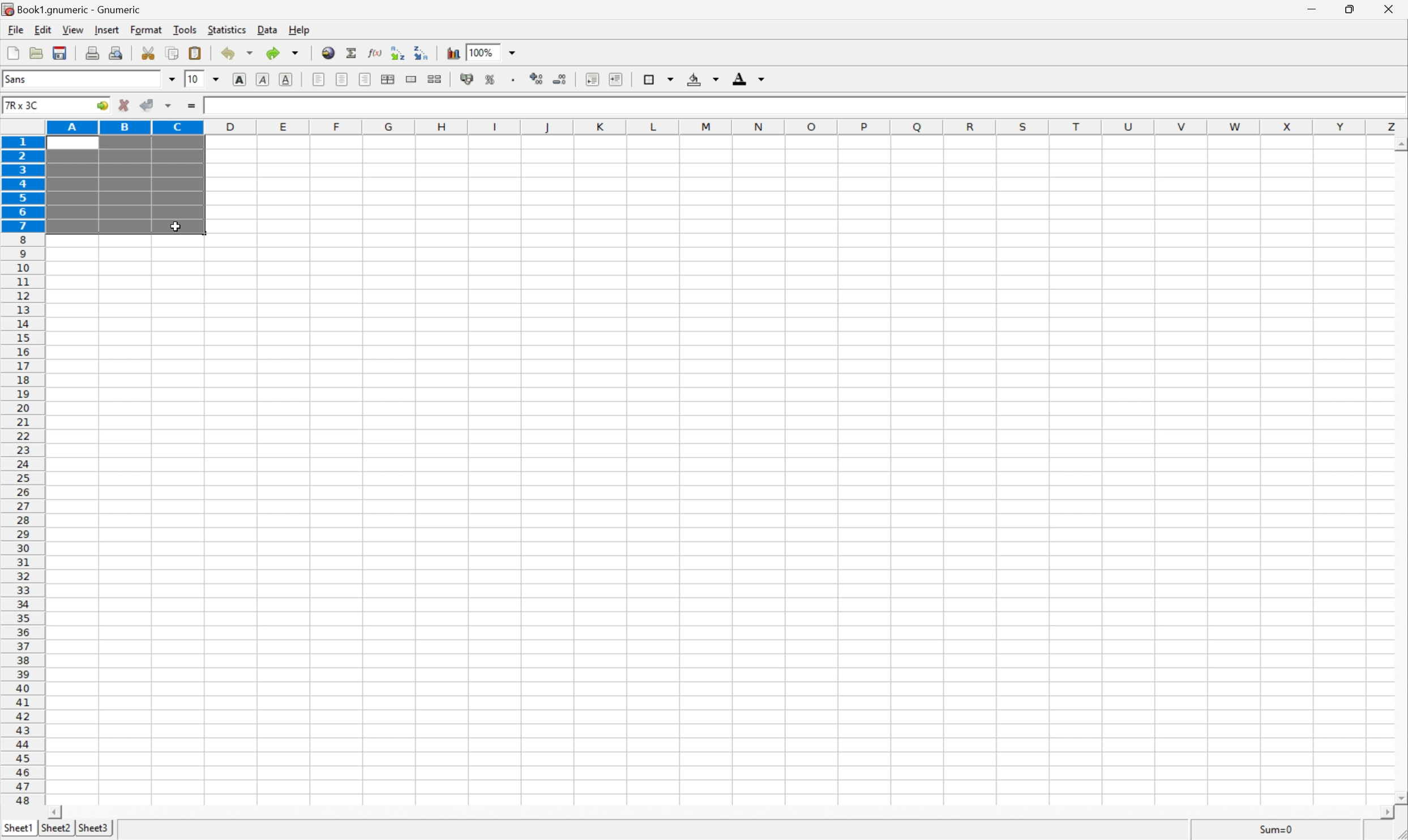 This screenshot has height=840, width=1408. What do you see at coordinates (149, 53) in the screenshot?
I see `cut` at bounding box center [149, 53].